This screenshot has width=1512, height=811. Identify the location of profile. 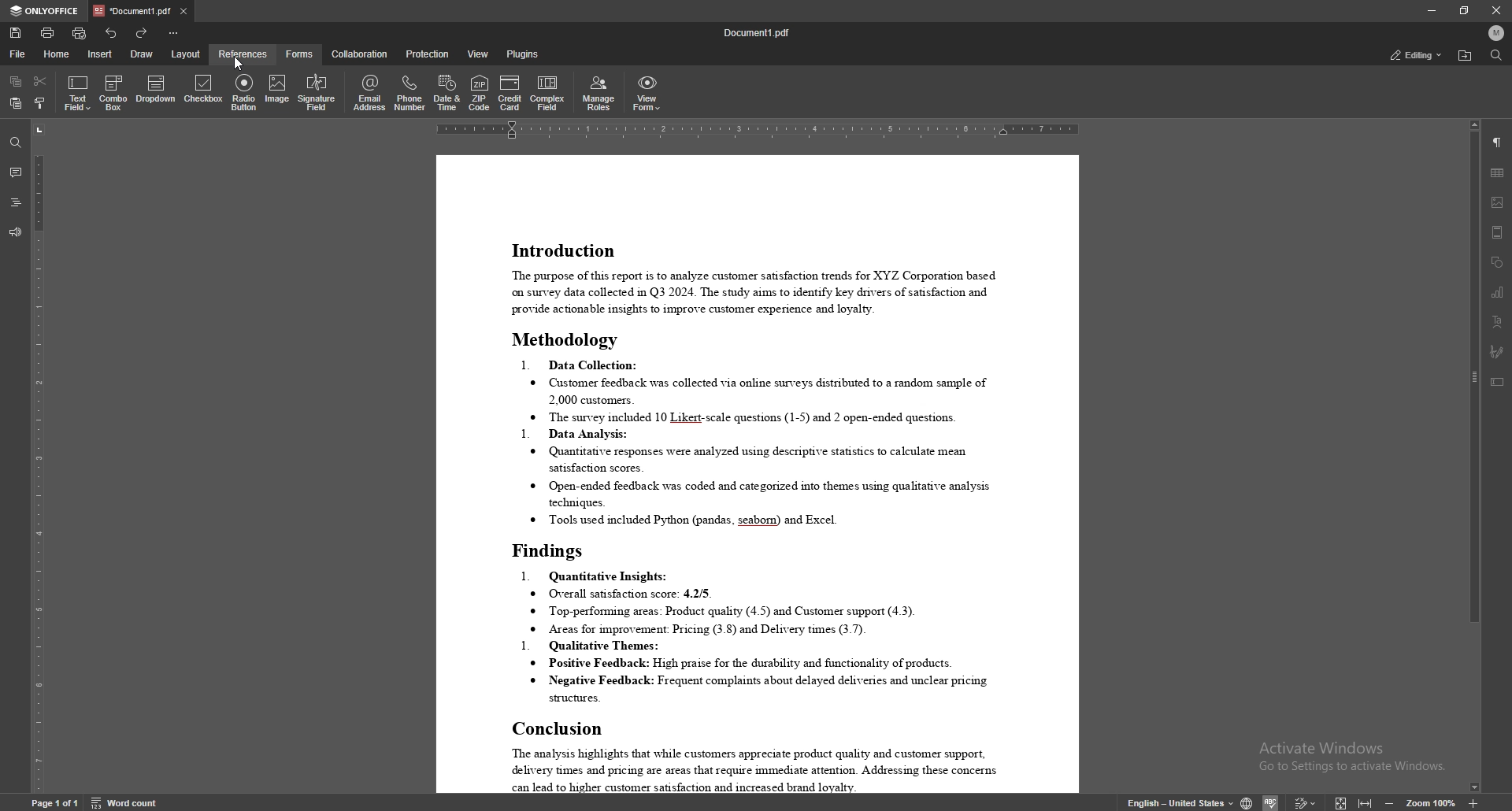
(1498, 33).